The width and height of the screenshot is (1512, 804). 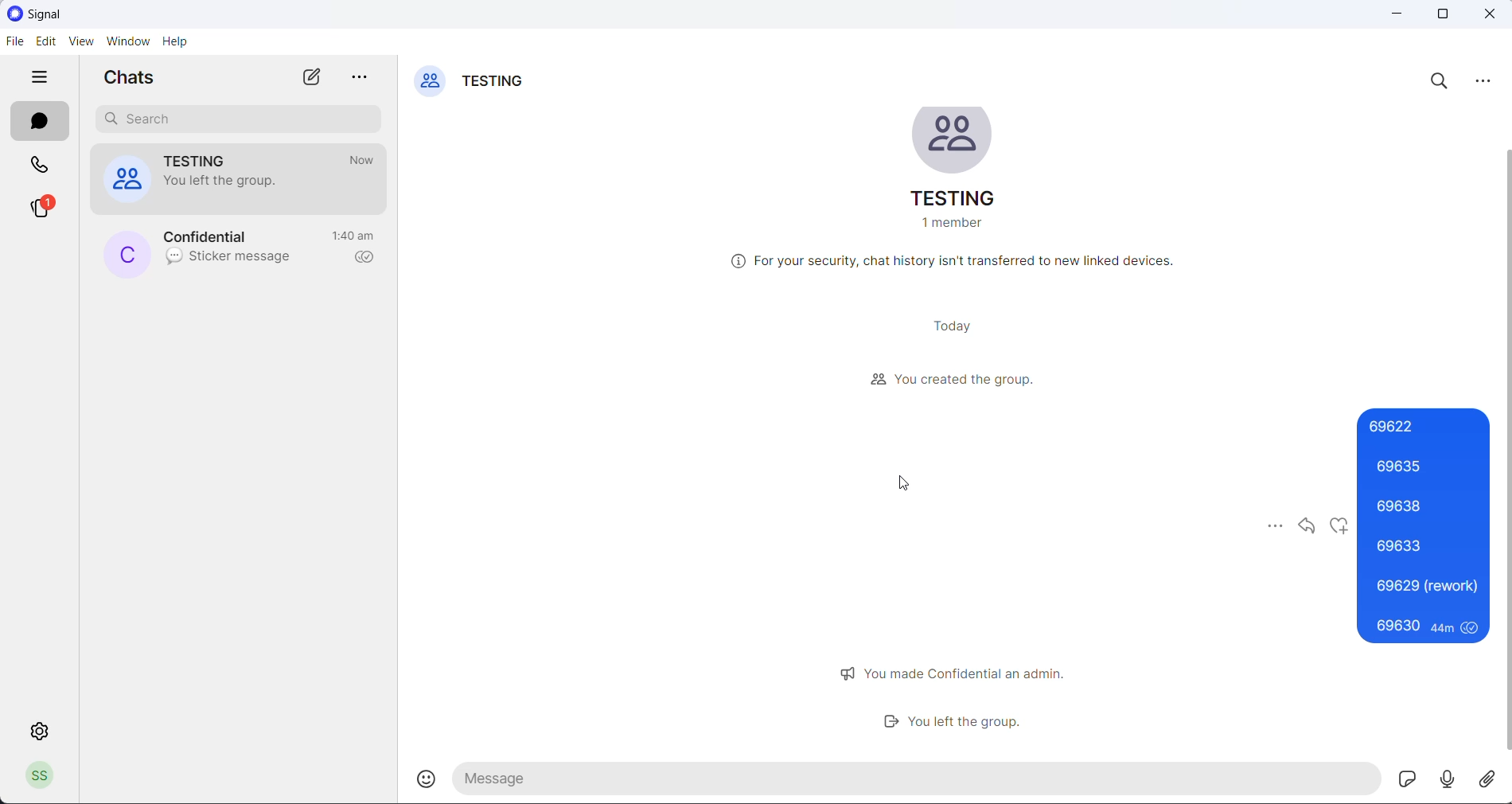 What do you see at coordinates (1444, 16) in the screenshot?
I see `maximize` at bounding box center [1444, 16].